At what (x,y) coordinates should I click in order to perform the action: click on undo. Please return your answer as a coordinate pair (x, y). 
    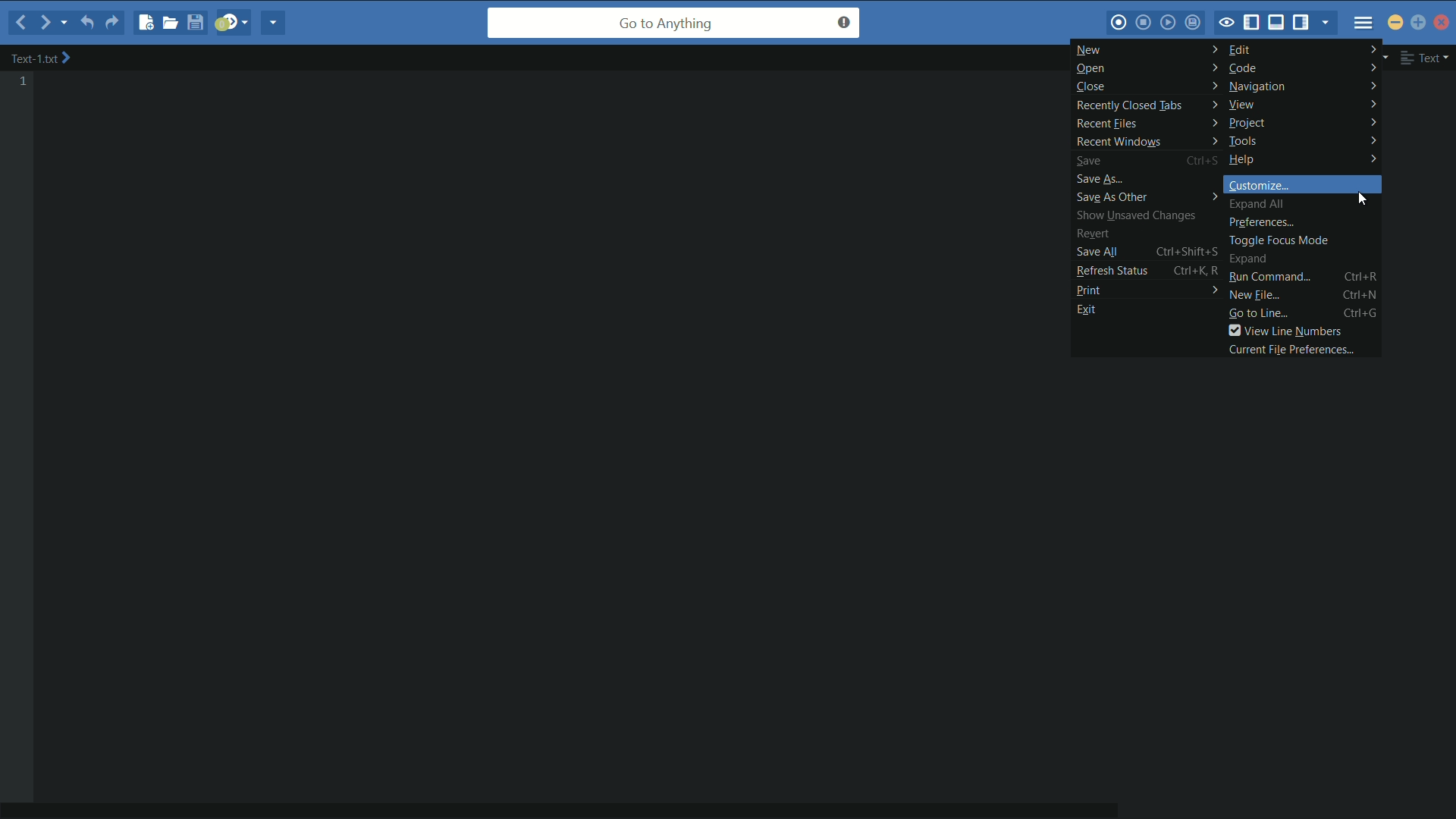
    Looking at the image, I should click on (86, 23).